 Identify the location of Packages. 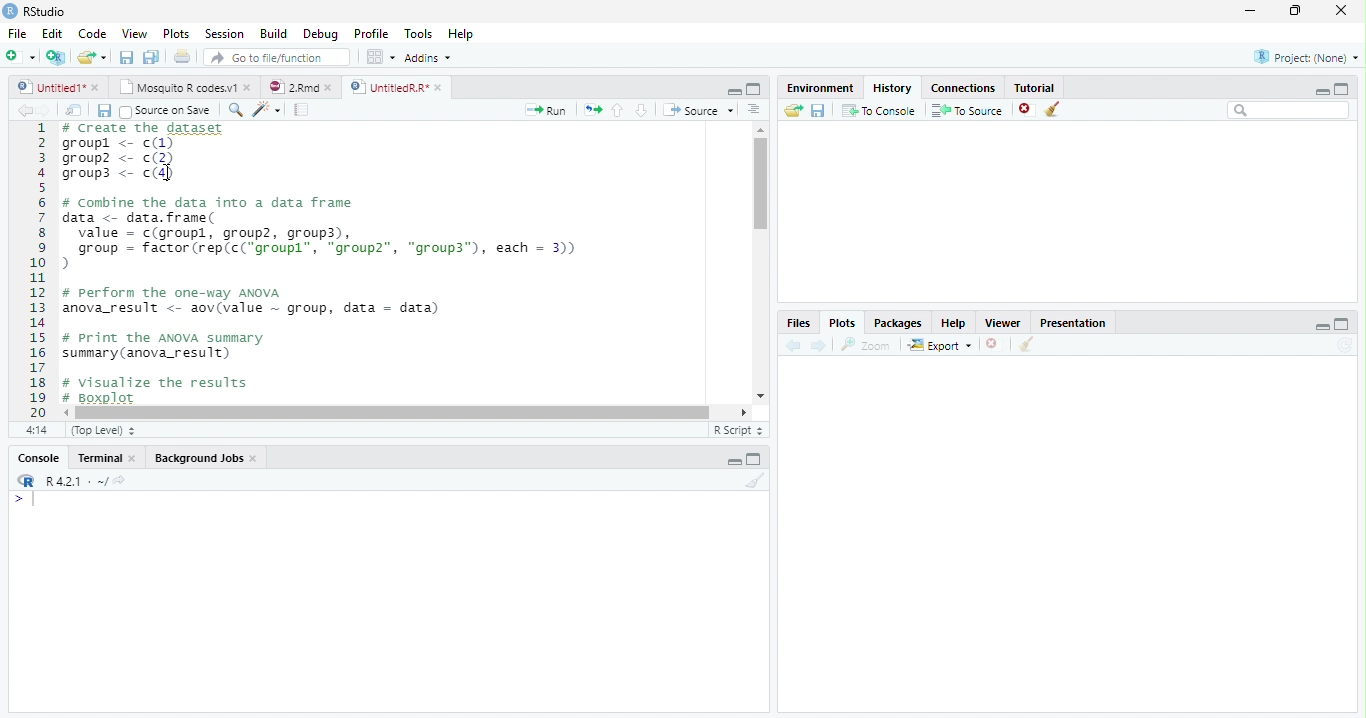
(900, 323).